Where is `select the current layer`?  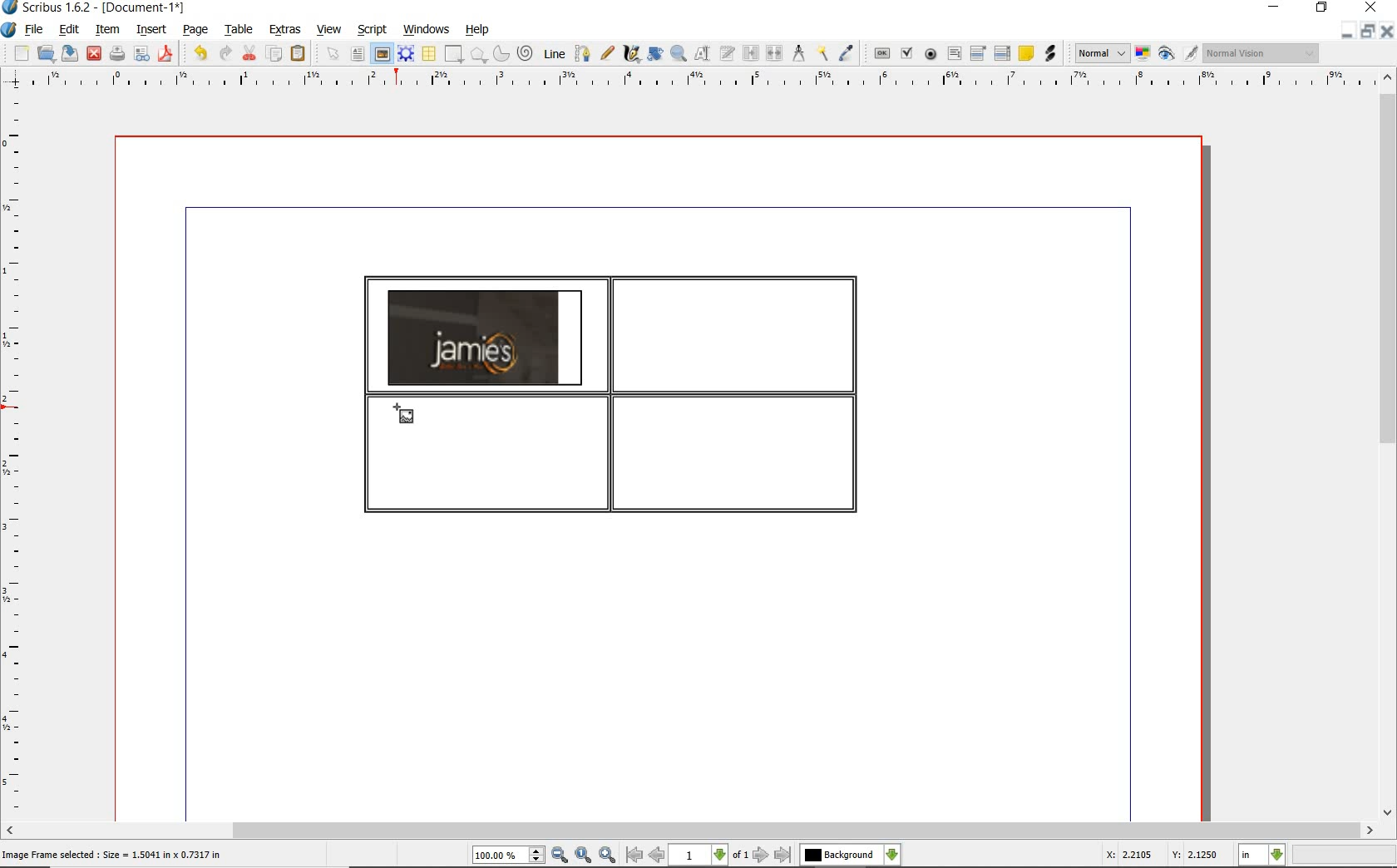
select the current layer is located at coordinates (850, 855).